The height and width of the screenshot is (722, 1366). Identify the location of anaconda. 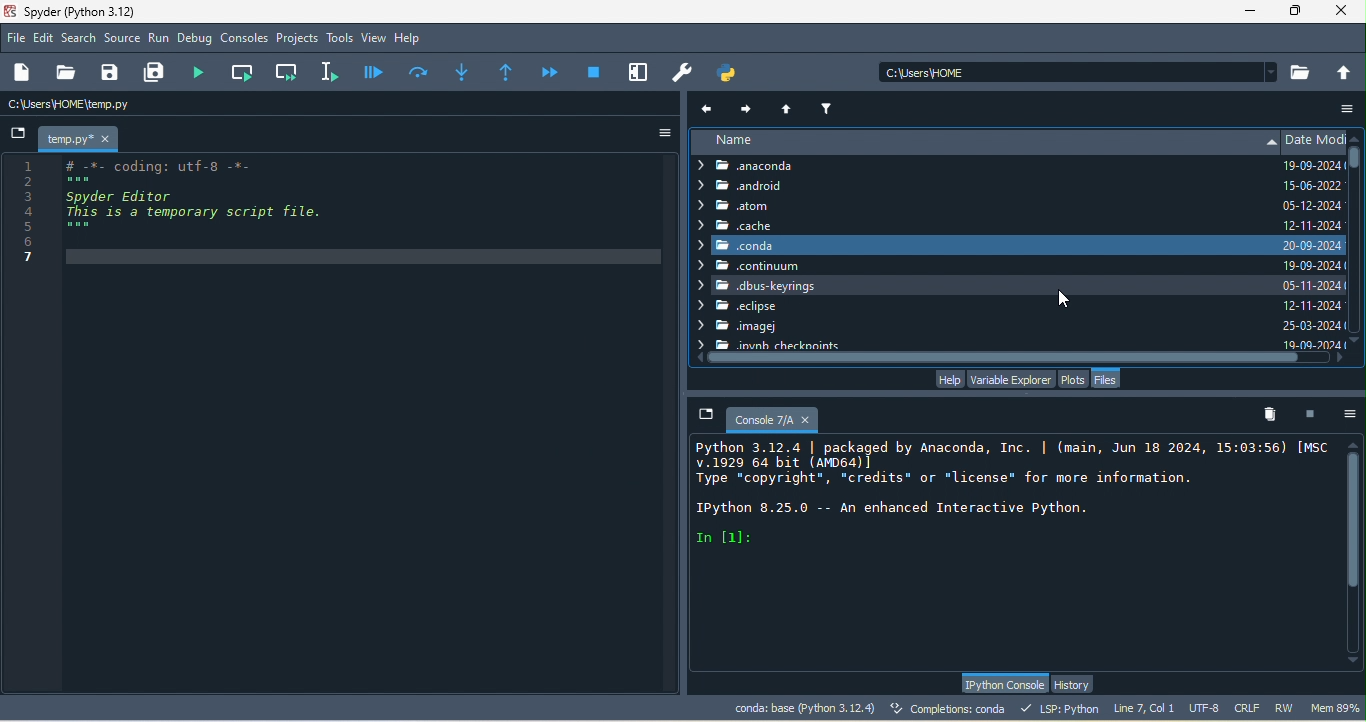
(761, 166).